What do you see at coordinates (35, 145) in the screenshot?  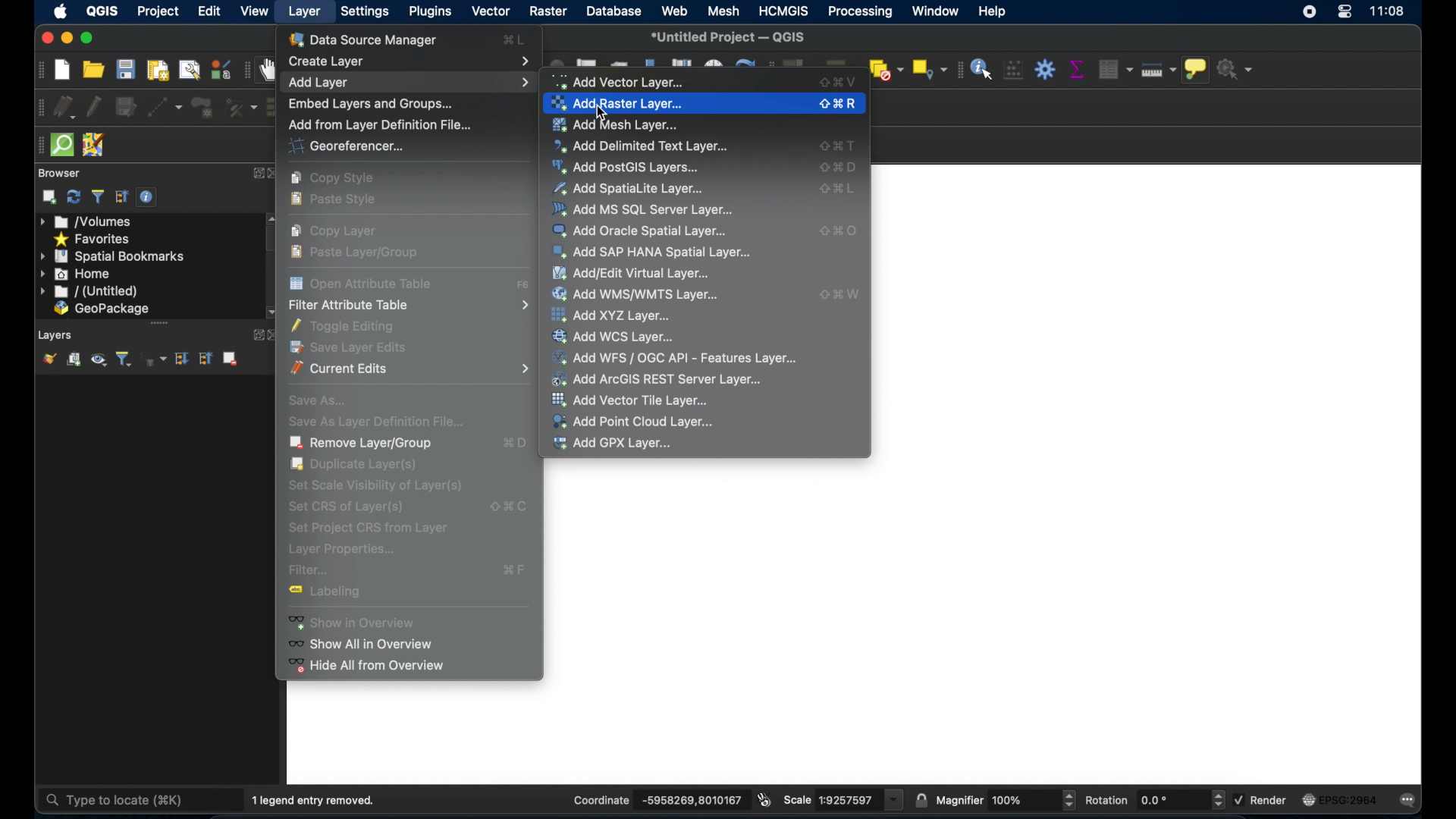 I see `drag handle` at bounding box center [35, 145].